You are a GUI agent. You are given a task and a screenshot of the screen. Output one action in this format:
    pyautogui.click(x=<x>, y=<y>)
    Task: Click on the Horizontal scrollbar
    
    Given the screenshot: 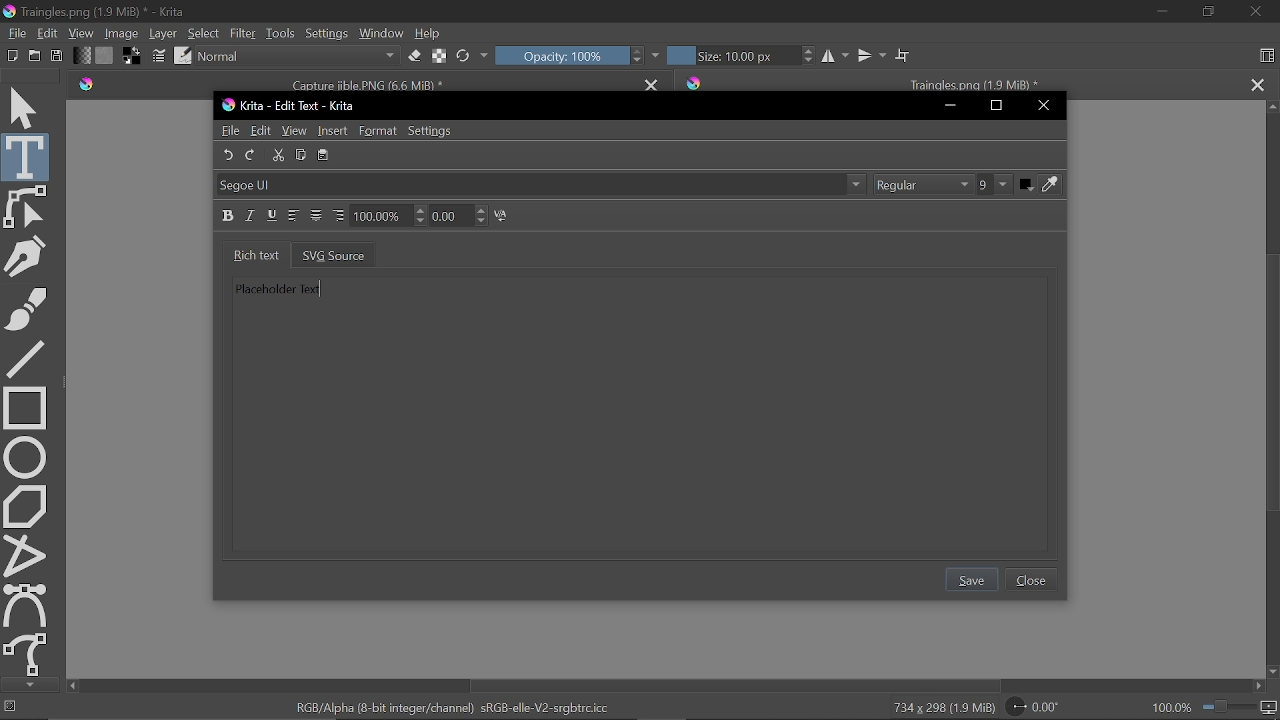 What is the action you would take?
    pyautogui.click(x=731, y=683)
    